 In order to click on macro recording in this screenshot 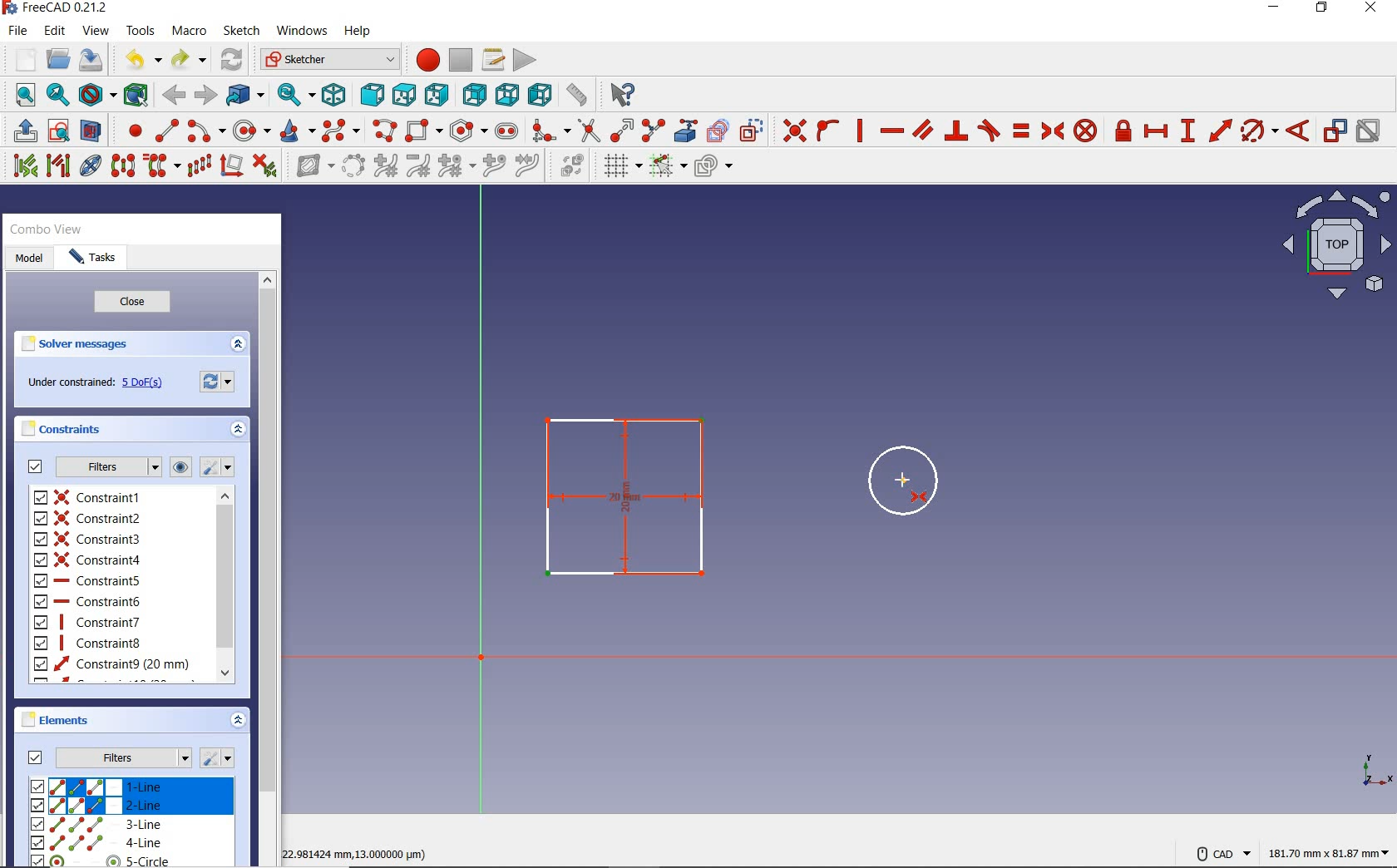, I will do `click(426, 58)`.